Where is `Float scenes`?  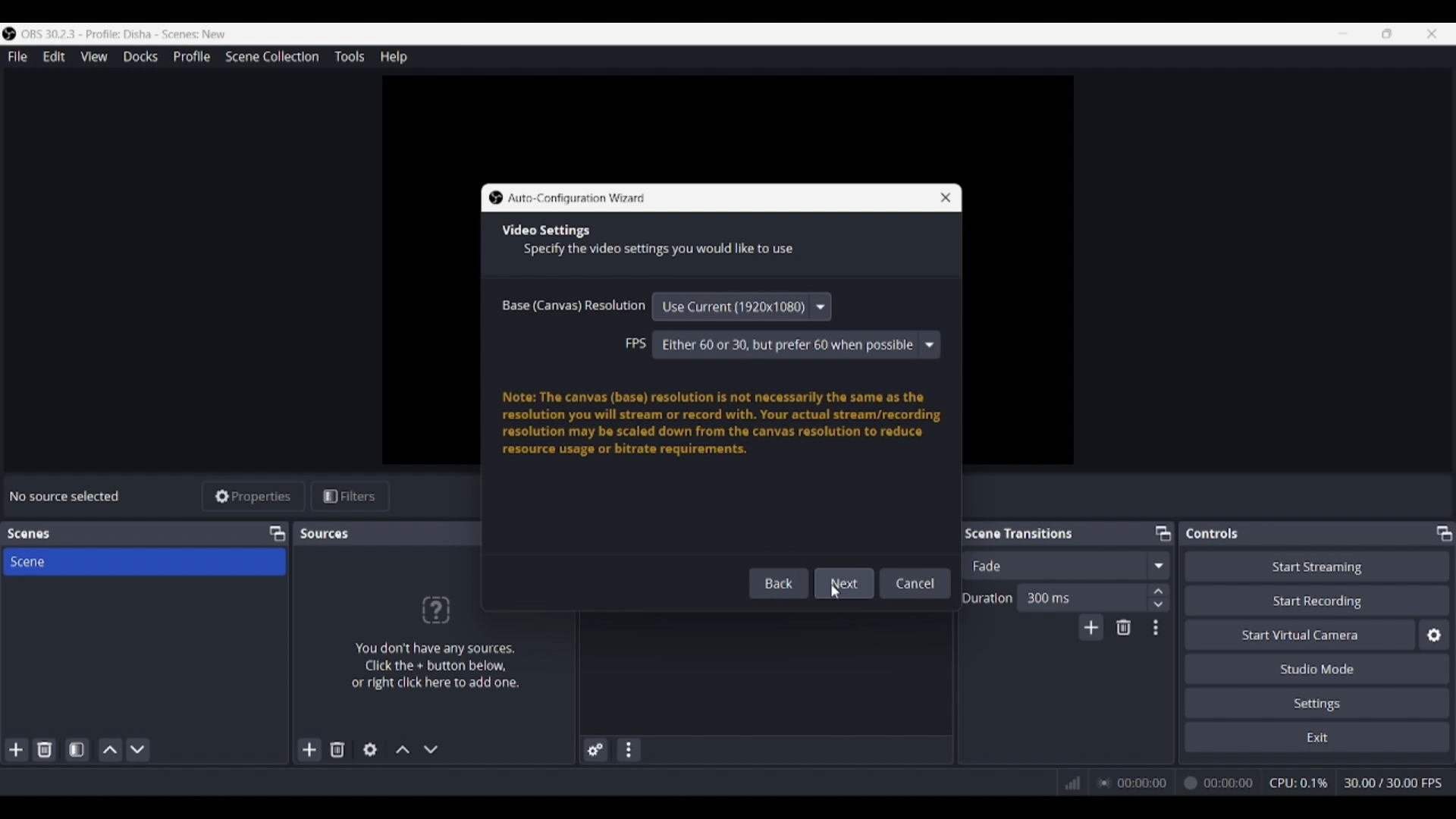
Float scenes is located at coordinates (277, 534).